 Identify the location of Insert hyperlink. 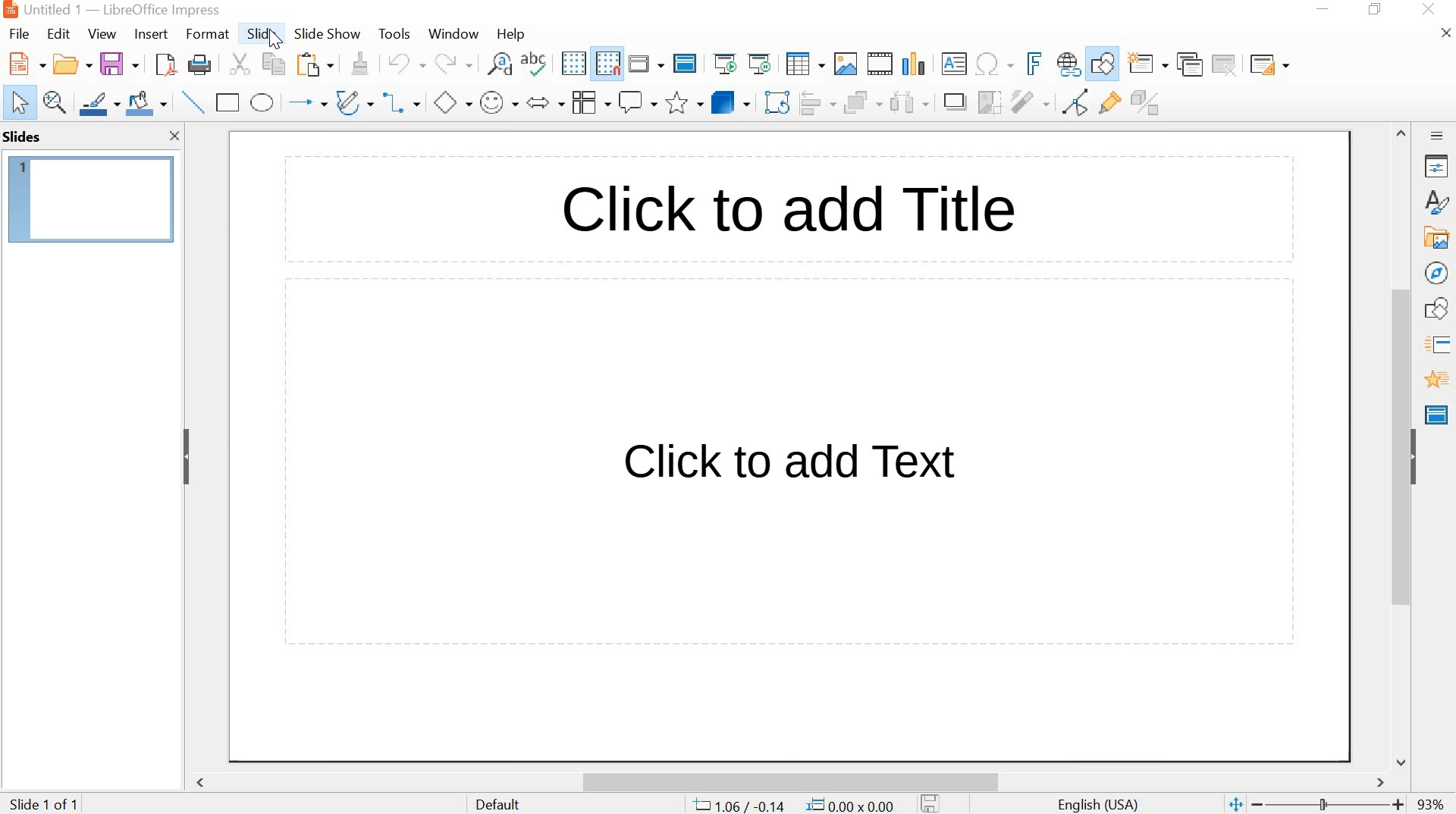
(1068, 65).